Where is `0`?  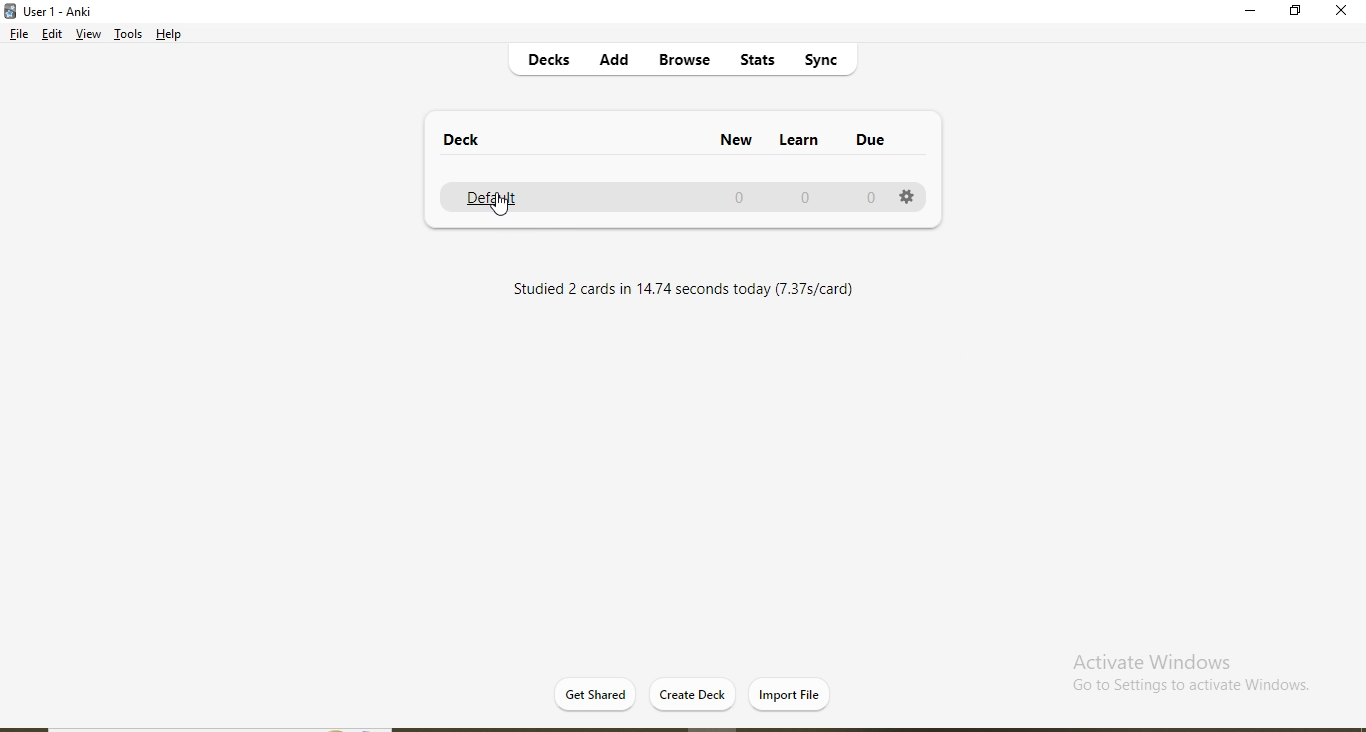
0 is located at coordinates (741, 198).